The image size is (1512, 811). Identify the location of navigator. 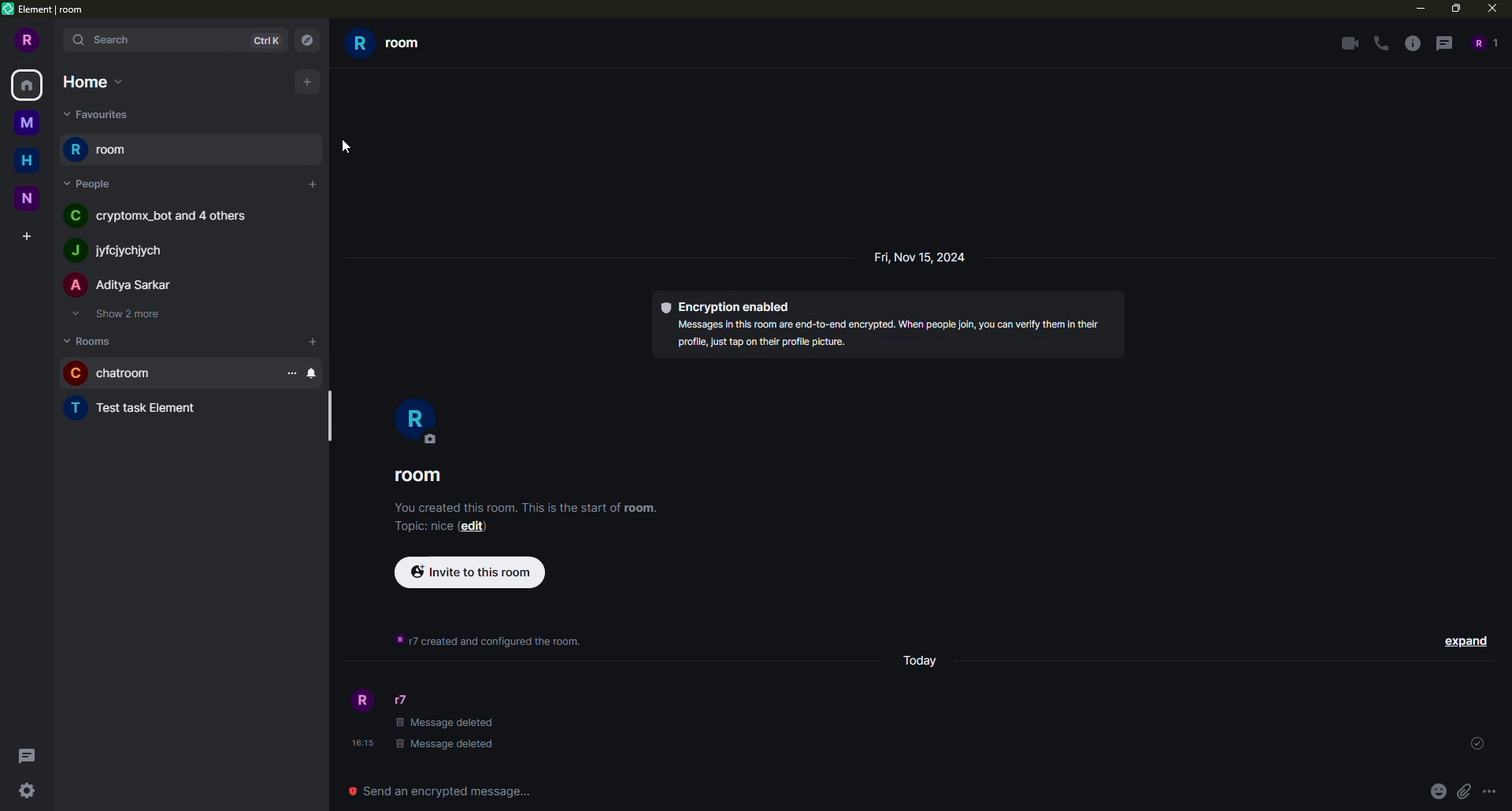
(310, 40).